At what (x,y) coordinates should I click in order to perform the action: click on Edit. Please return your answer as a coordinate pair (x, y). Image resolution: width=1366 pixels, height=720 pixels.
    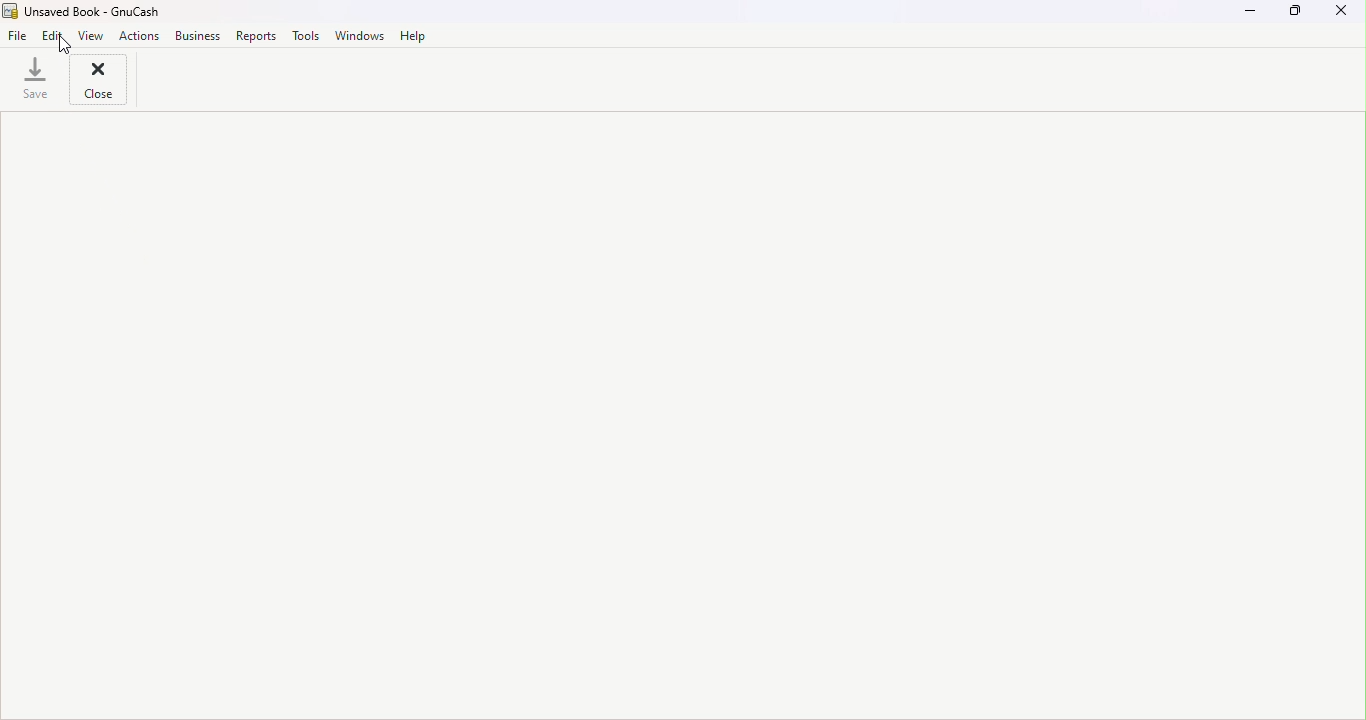
    Looking at the image, I should click on (53, 36).